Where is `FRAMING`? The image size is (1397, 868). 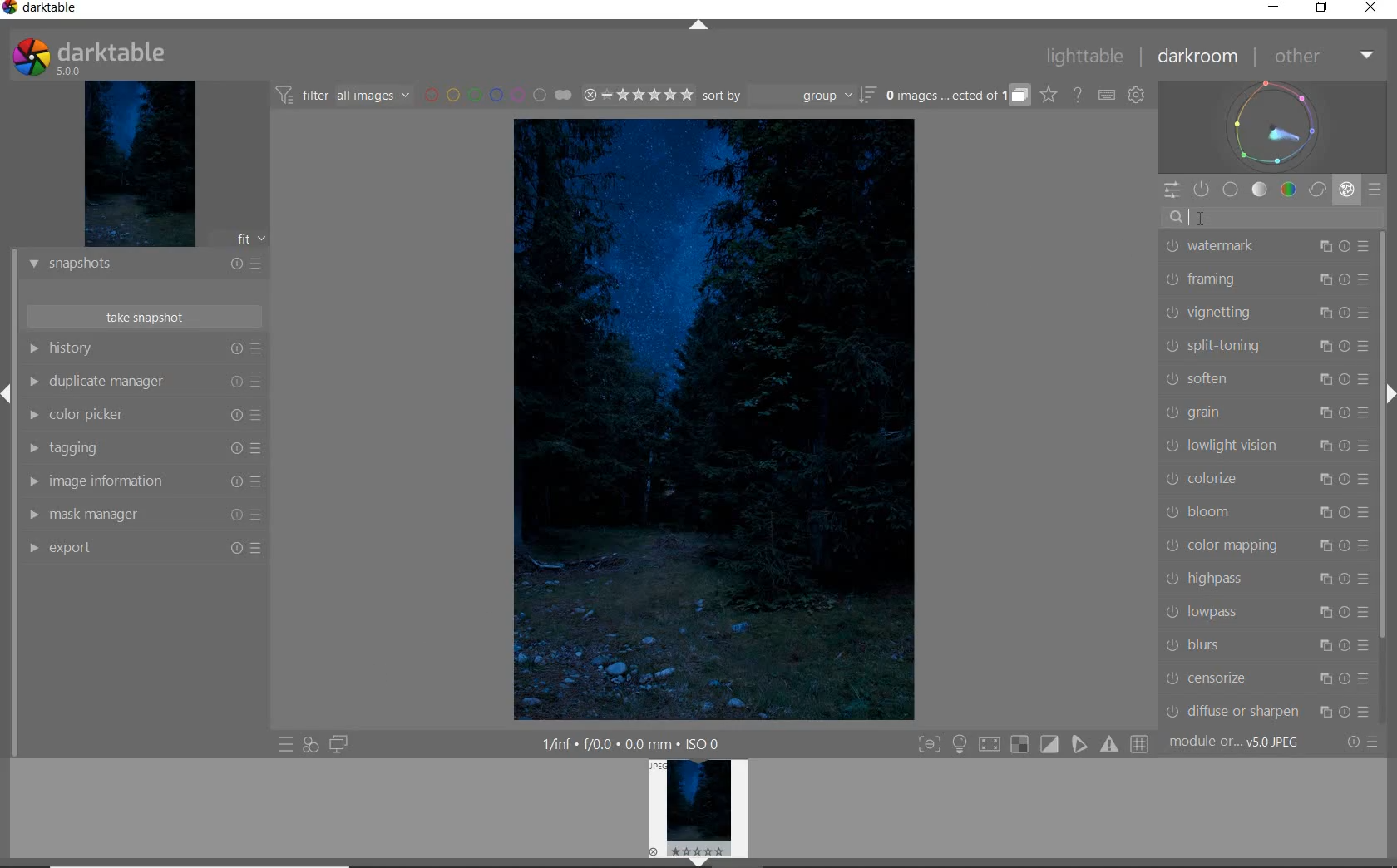 FRAMING is located at coordinates (1265, 282).